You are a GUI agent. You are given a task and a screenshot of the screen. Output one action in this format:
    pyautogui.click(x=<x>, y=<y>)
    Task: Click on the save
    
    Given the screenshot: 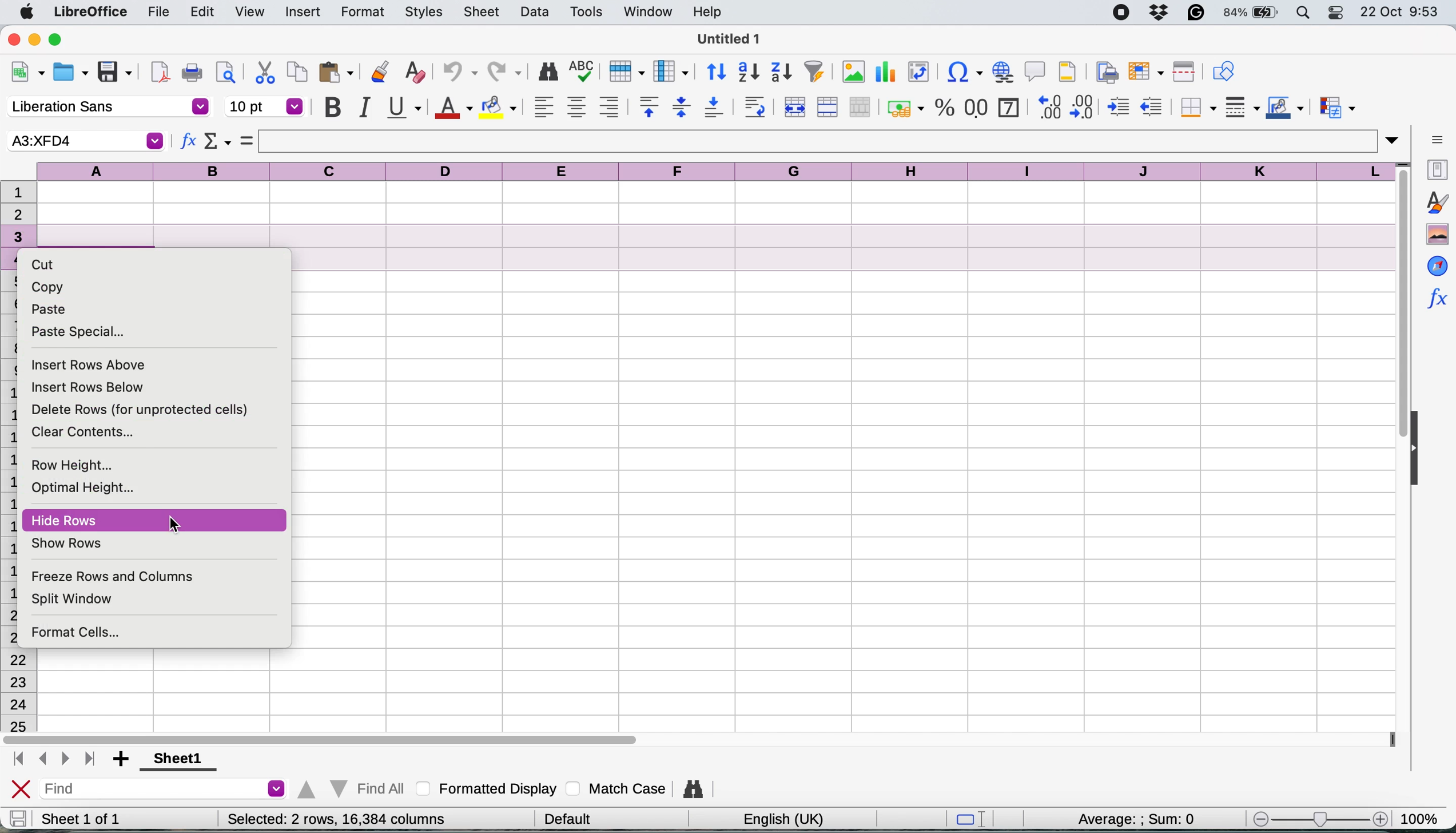 What is the action you would take?
    pyautogui.click(x=116, y=73)
    